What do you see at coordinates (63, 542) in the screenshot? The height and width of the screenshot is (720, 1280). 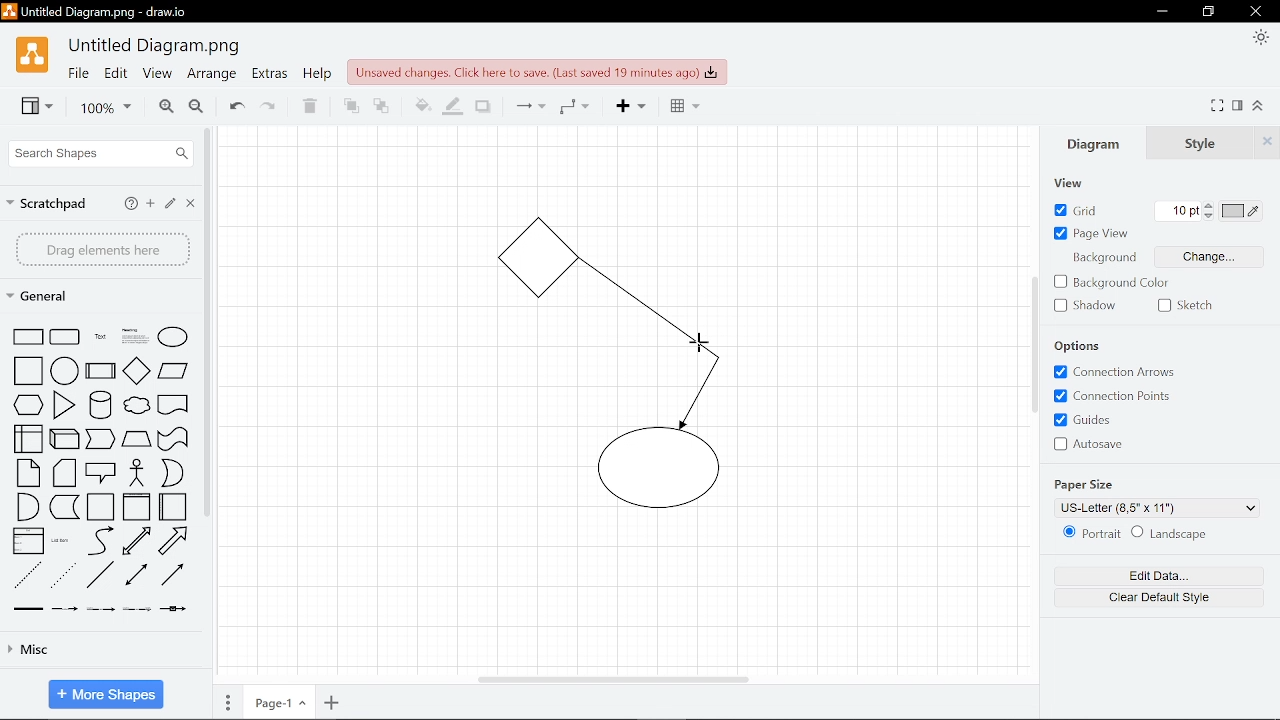 I see `shape` at bounding box center [63, 542].